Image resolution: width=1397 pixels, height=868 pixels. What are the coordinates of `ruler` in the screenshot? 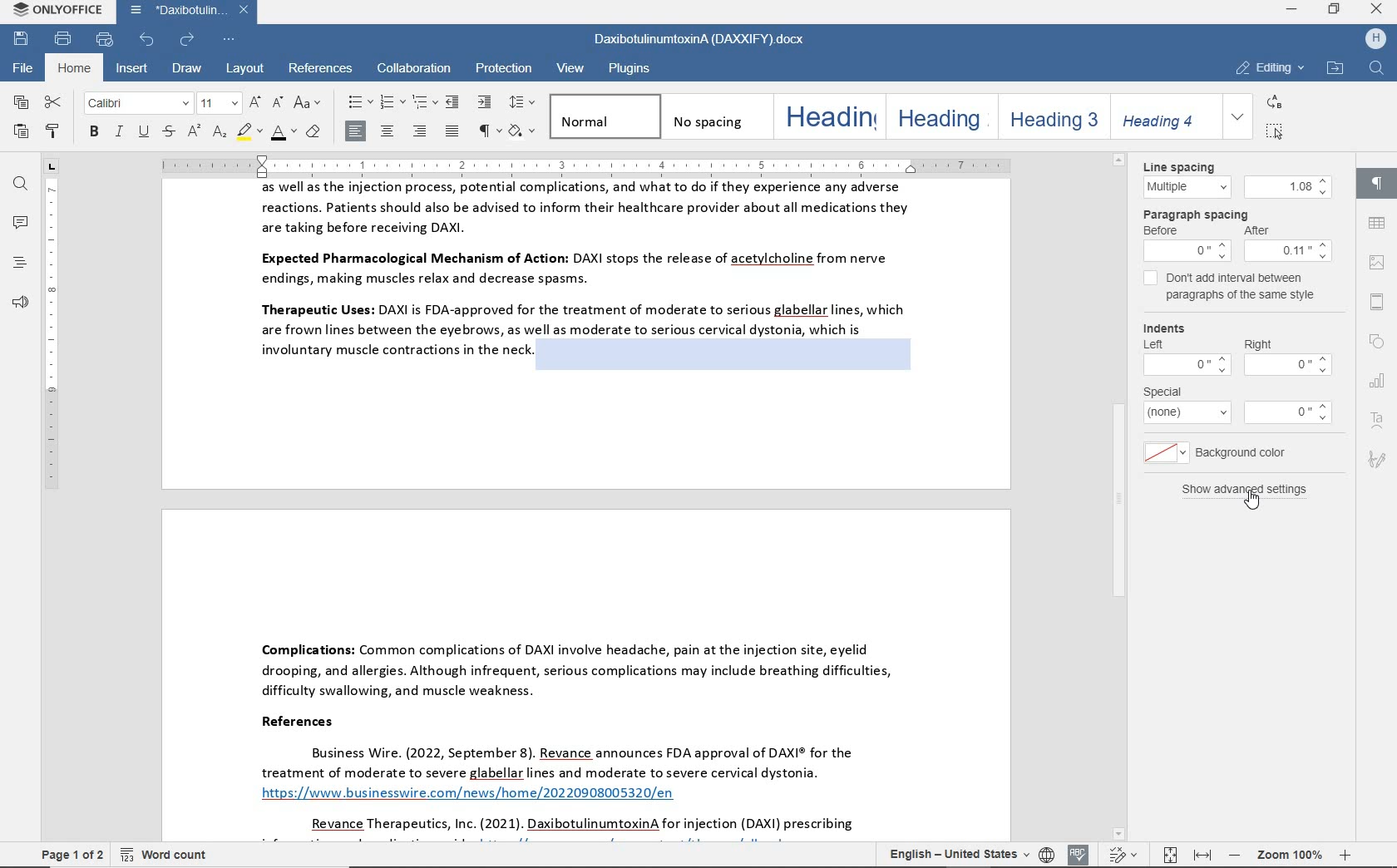 It's located at (52, 508).